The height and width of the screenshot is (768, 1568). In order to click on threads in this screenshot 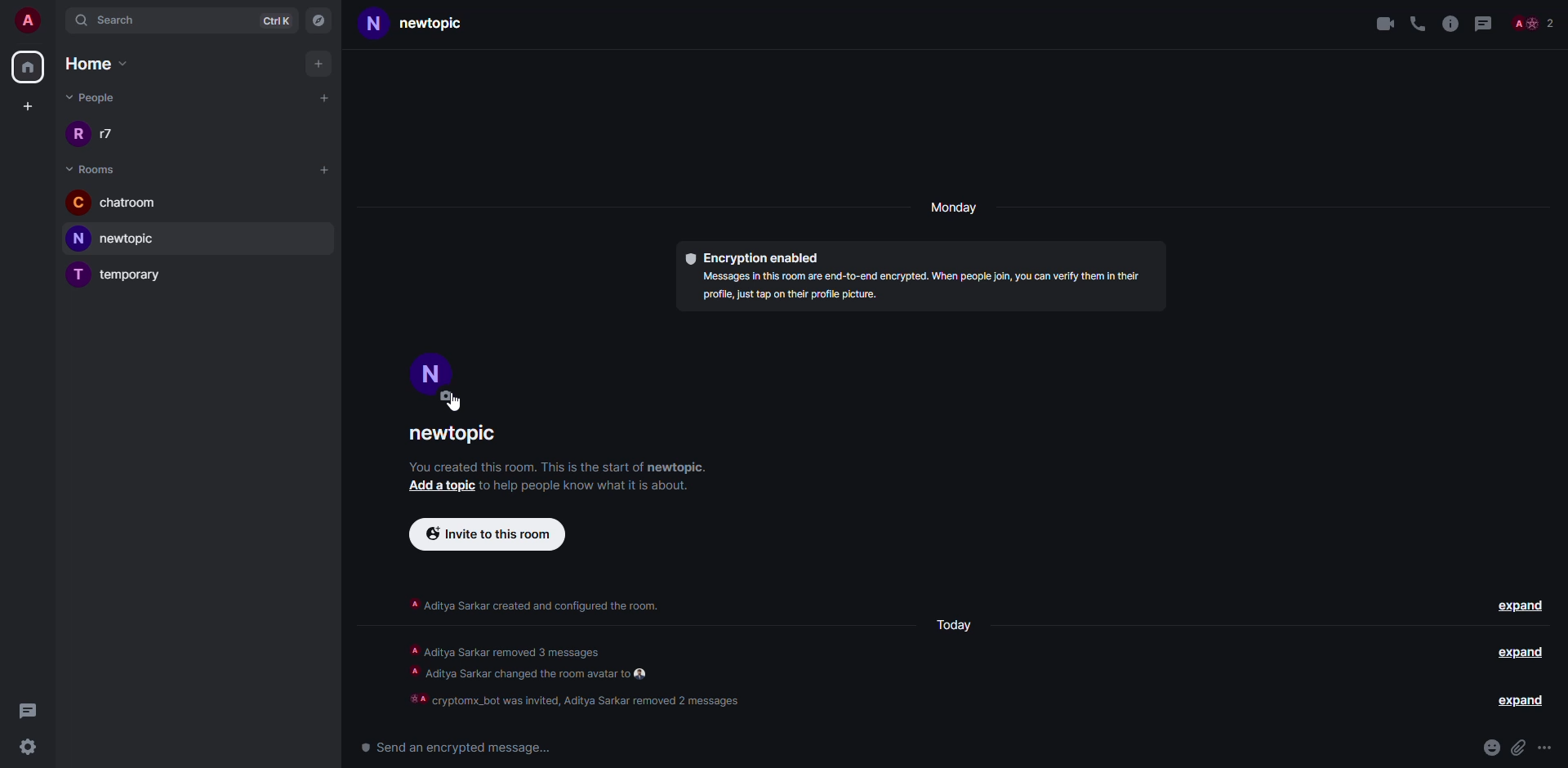, I will do `click(29, 712)`.